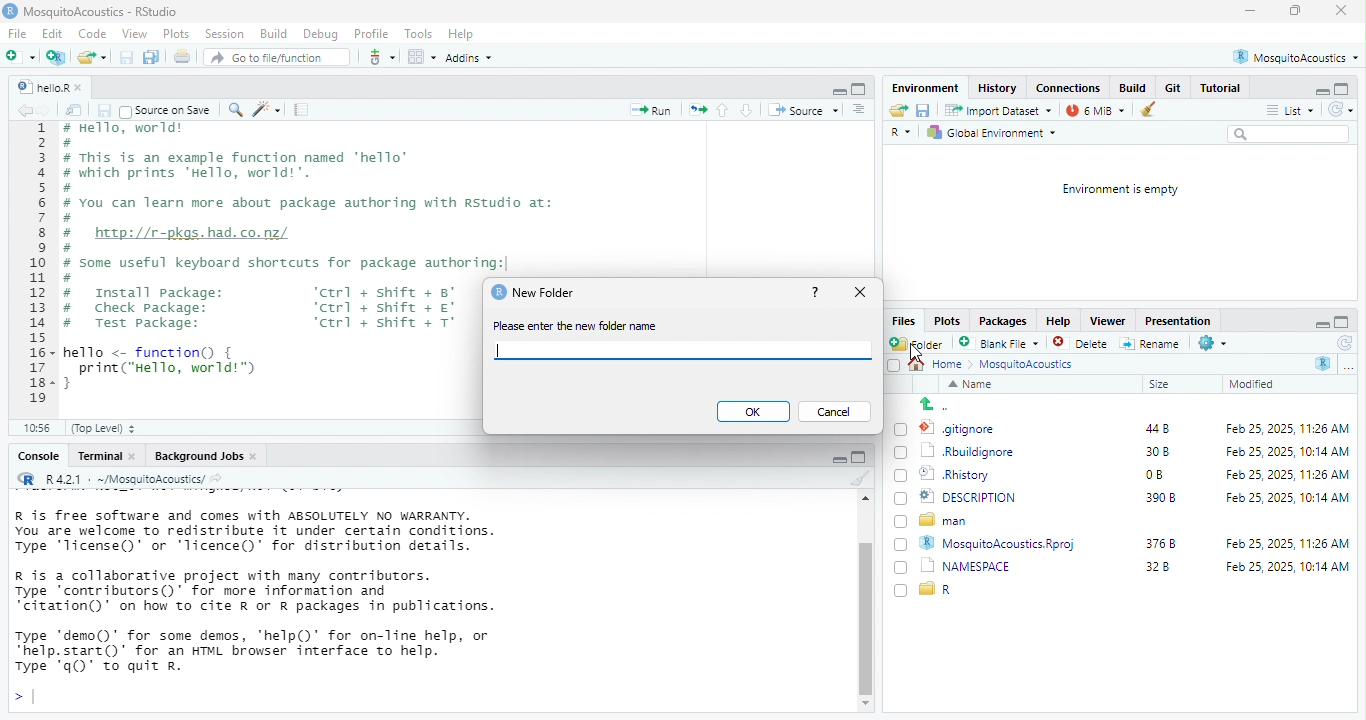  What do you see at coordinates (1278, 473) in the screenshot?
I see `Feb 25, 2025, 11:26 AM` at bounding box center [1278, 473].